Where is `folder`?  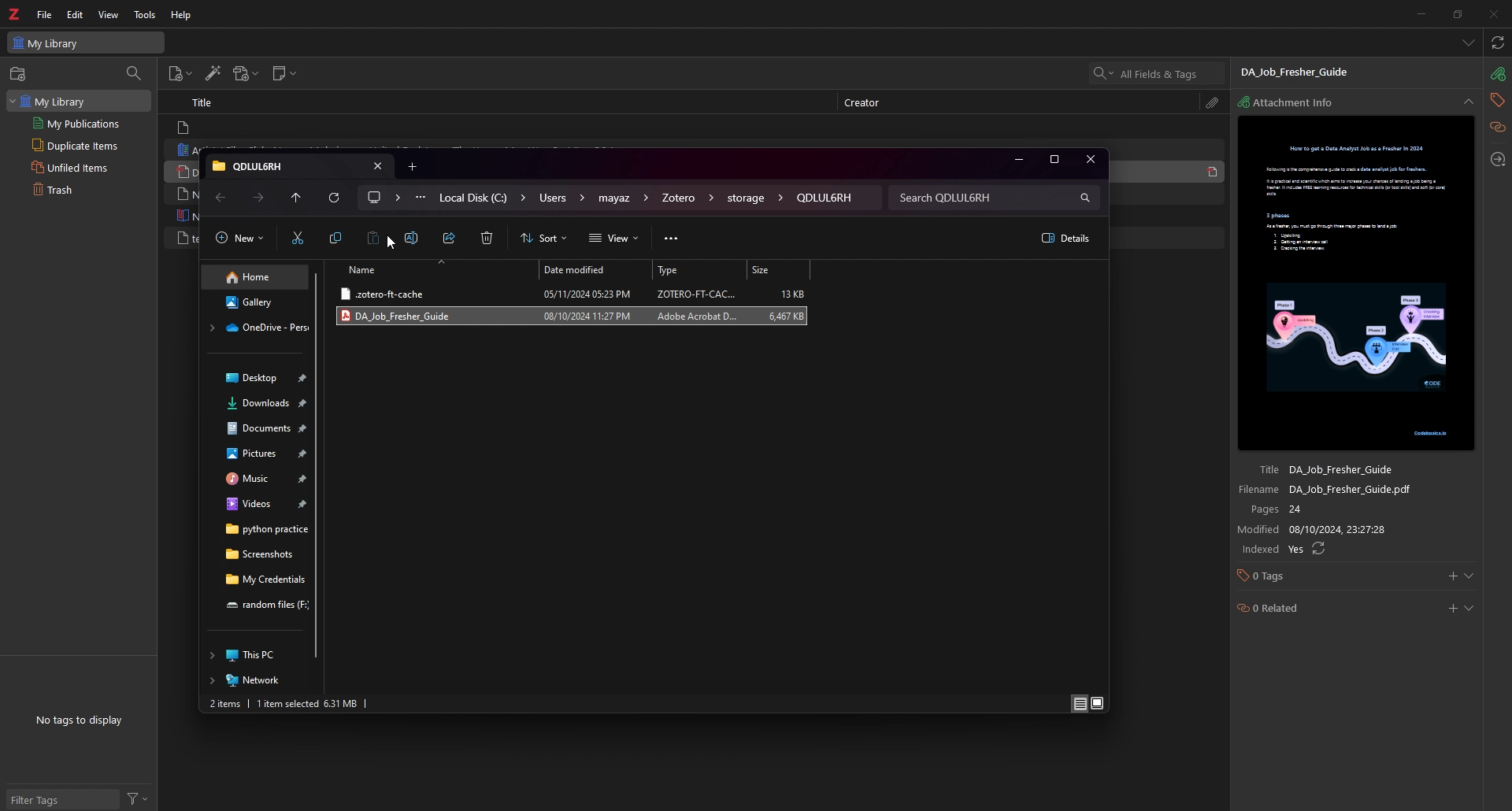
folder is located at coordinates (258, 554).